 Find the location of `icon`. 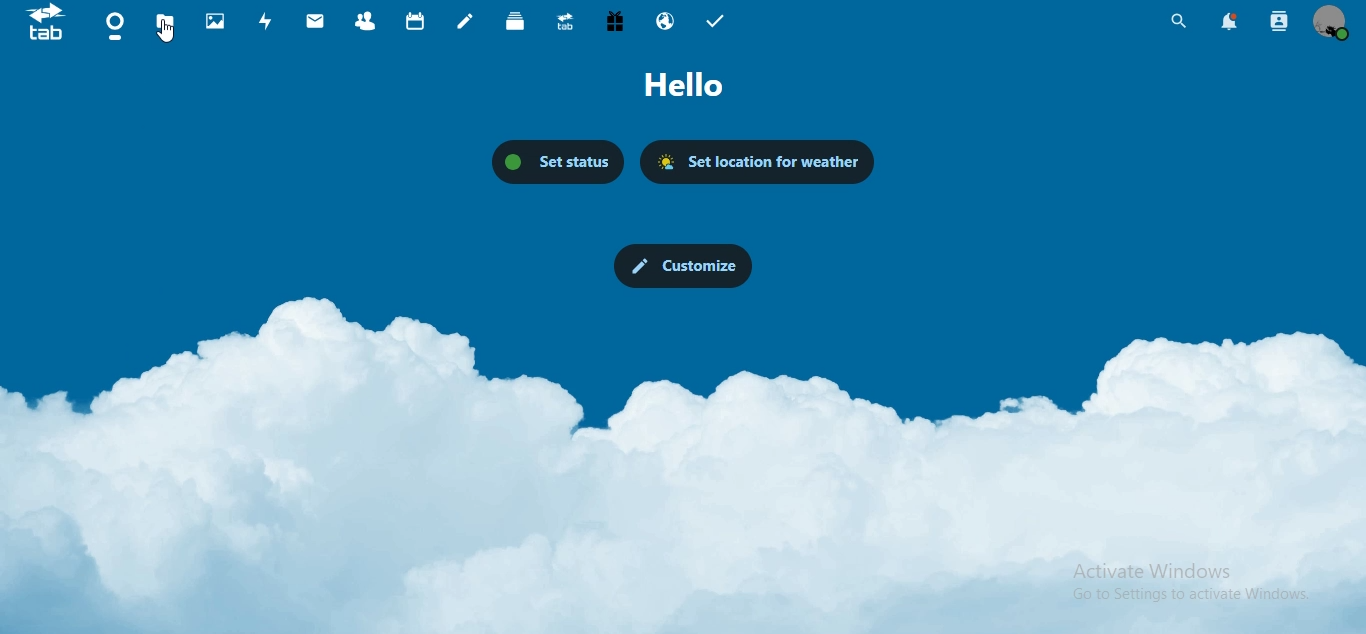

icon is located at coordinates (47, 23).